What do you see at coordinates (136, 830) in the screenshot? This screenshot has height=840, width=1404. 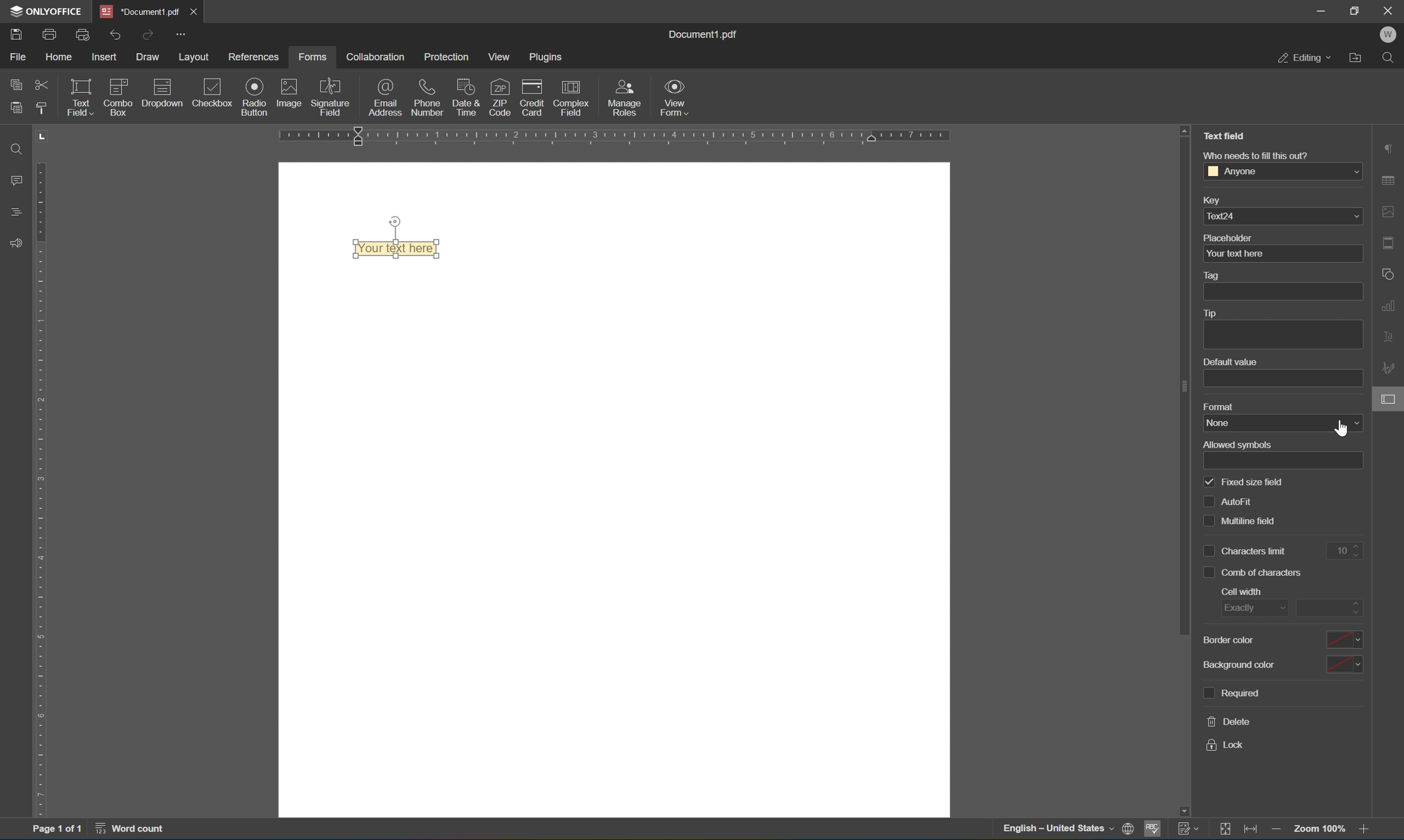 I see `word count` at bounding box center [136, 830].